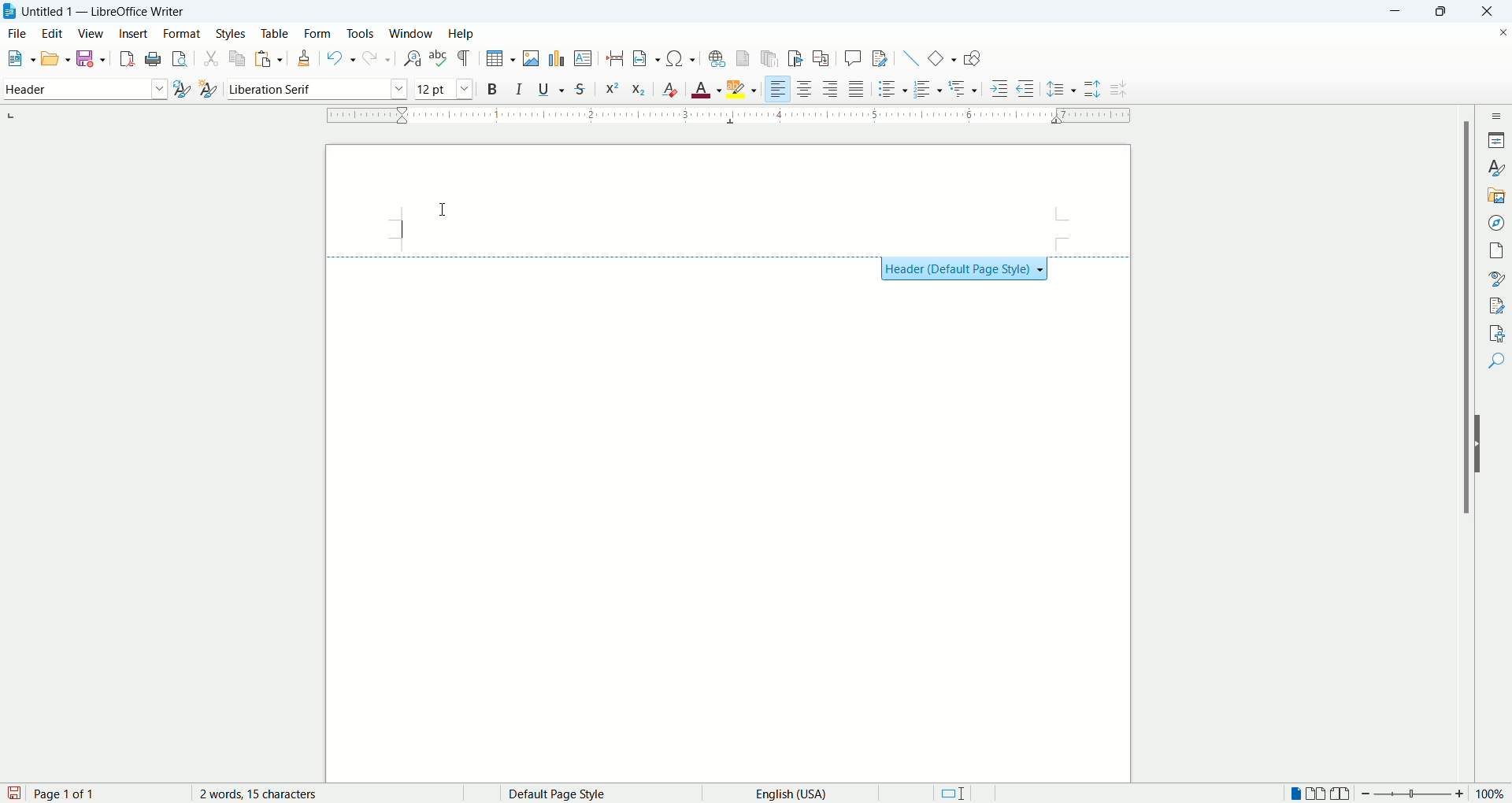  What do you see at coordinates (815, 793) in the screenshot?
I see `text language` at bounding box center [815, 793].